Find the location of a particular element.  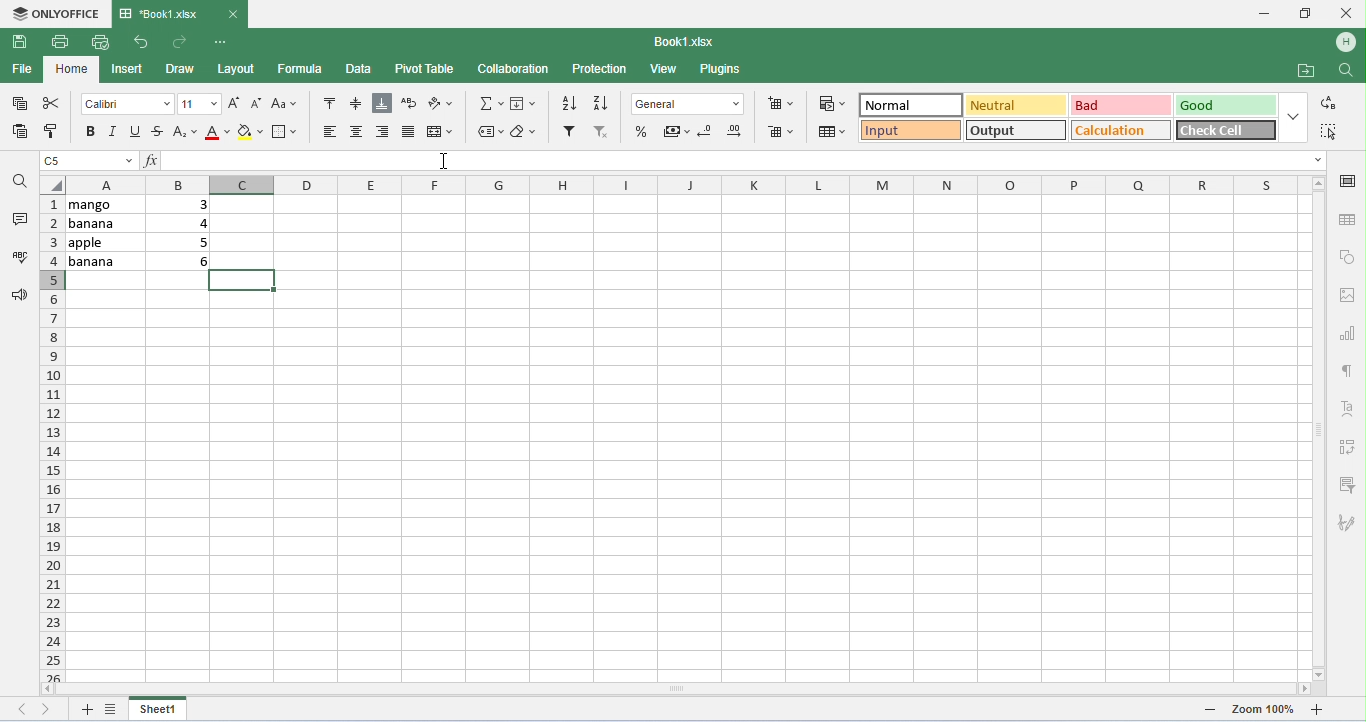

quick print is located at coordinates (98, 42).